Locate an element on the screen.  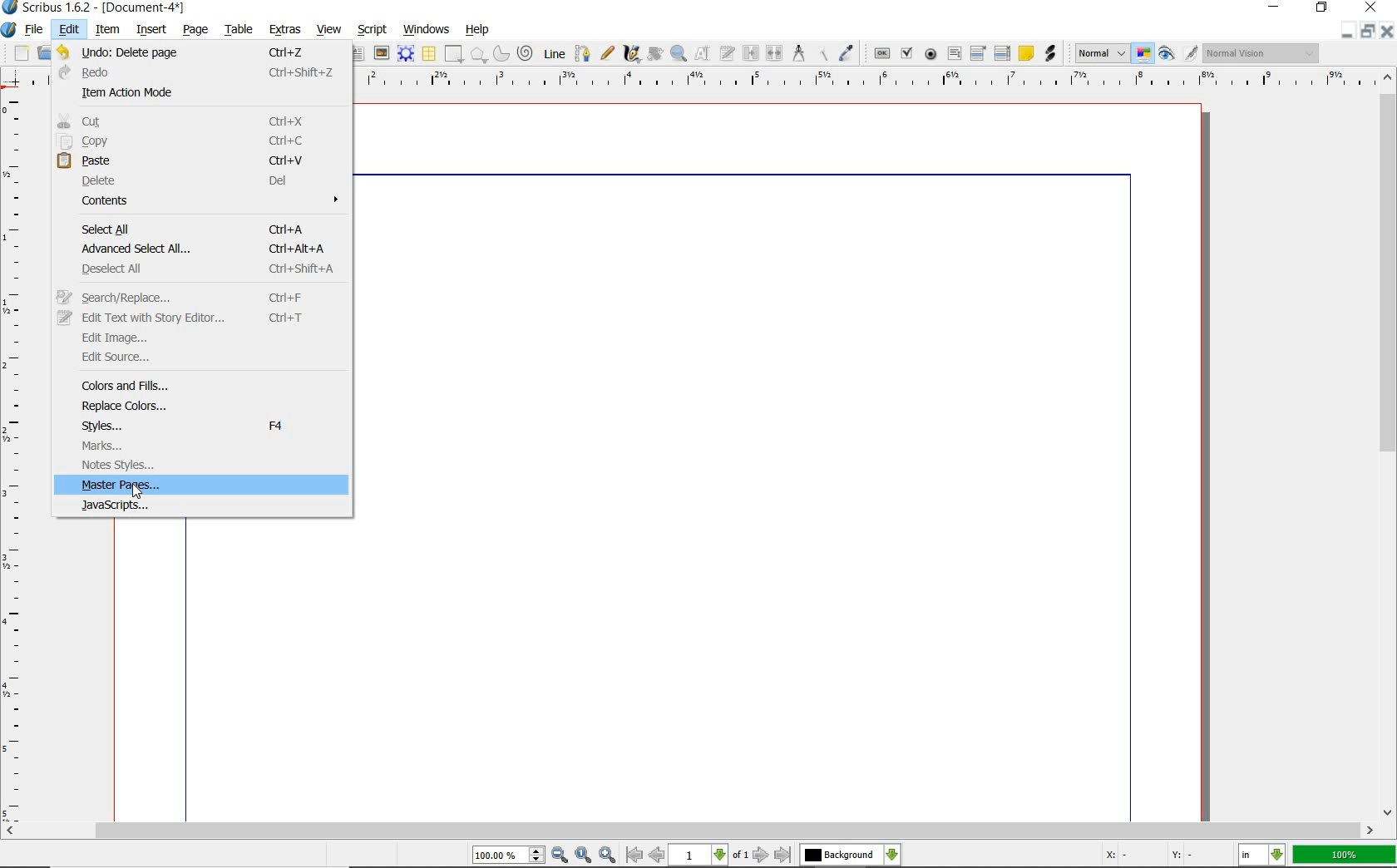
zoom to 100% is located at coordinates (585, 856).